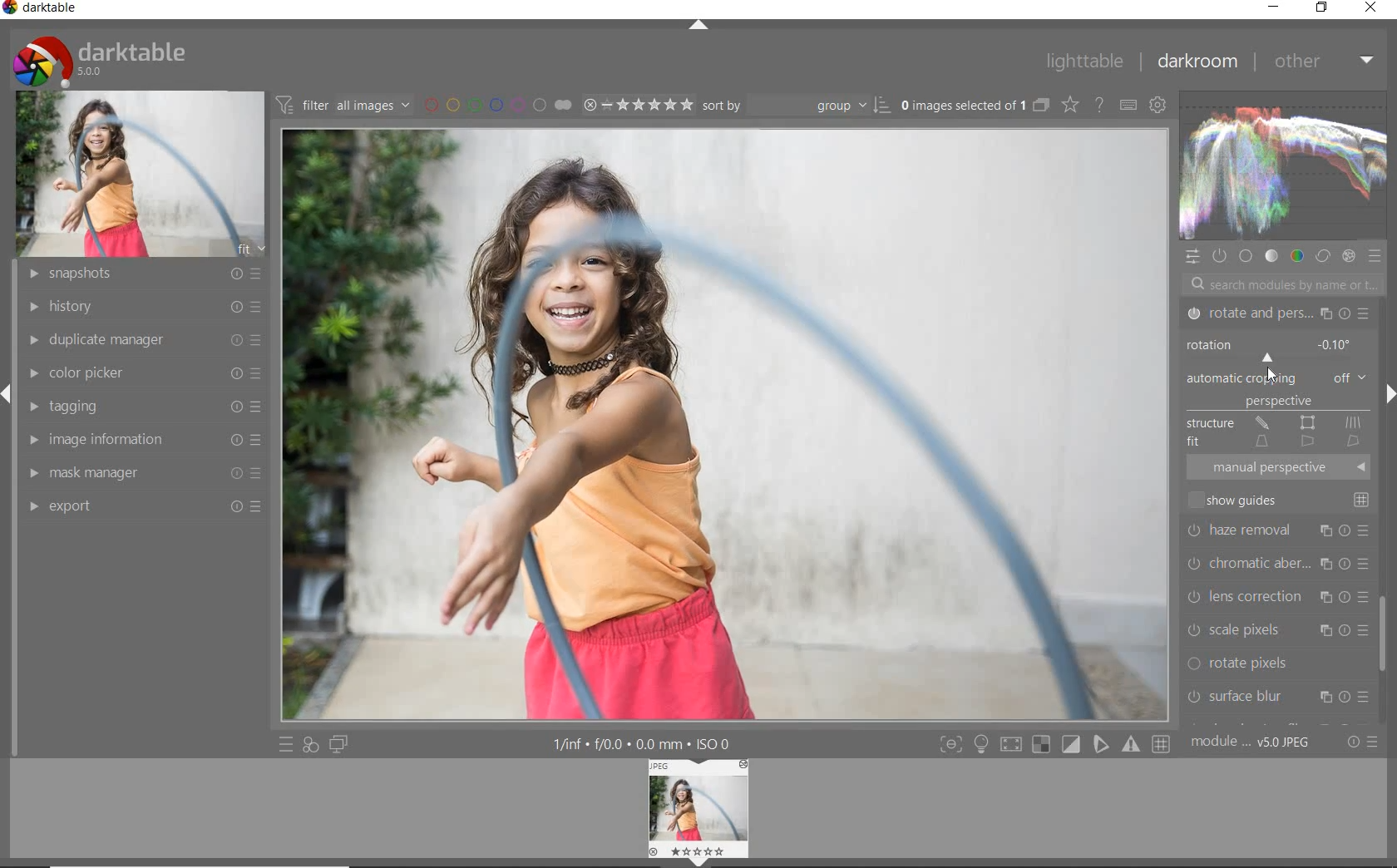 This screenshot has height=868, width=1397. I want to click on selected image, so click(725, 423).